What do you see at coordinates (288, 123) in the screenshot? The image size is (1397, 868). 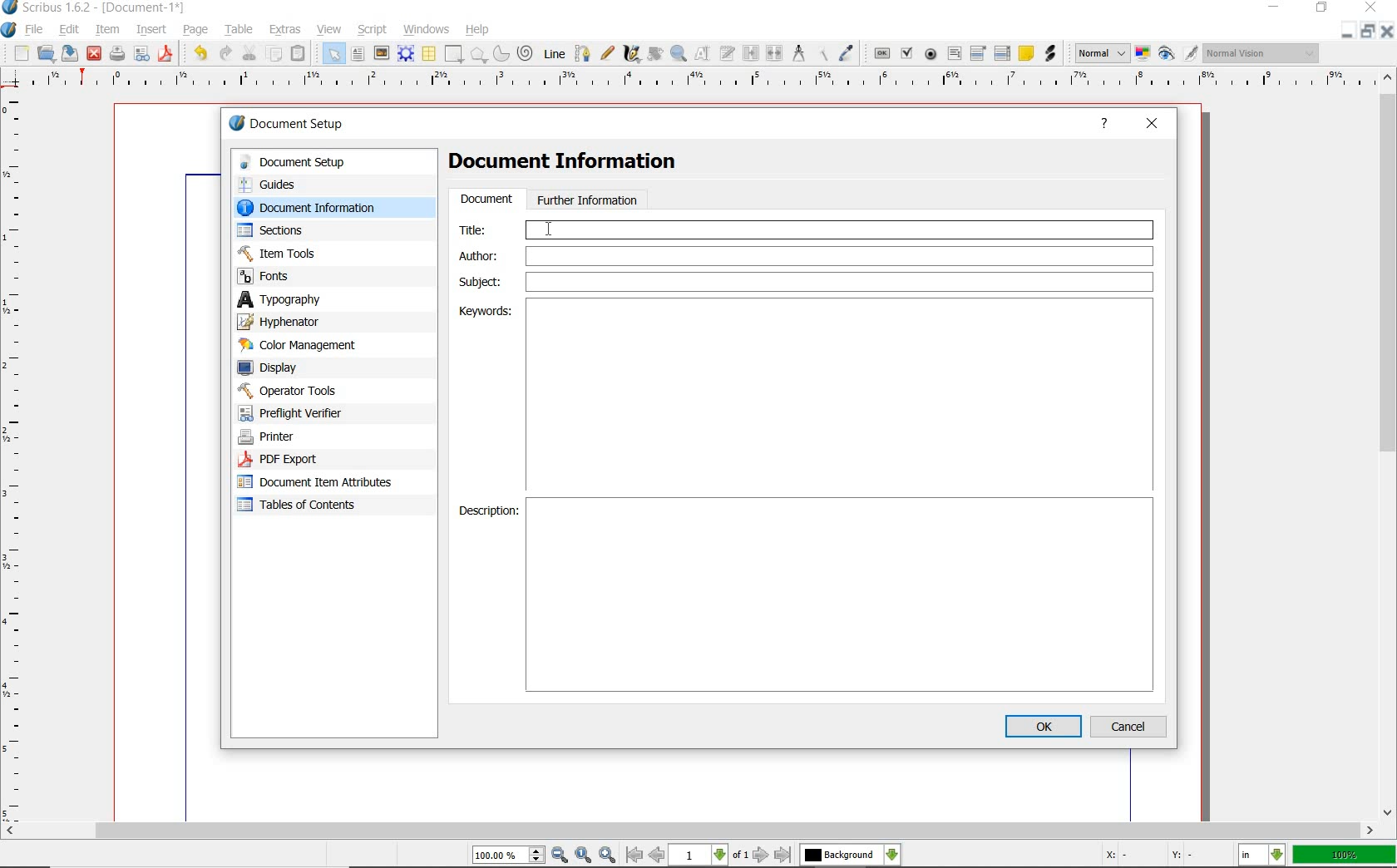 I see `document setup` at bounding box center [288, 123].